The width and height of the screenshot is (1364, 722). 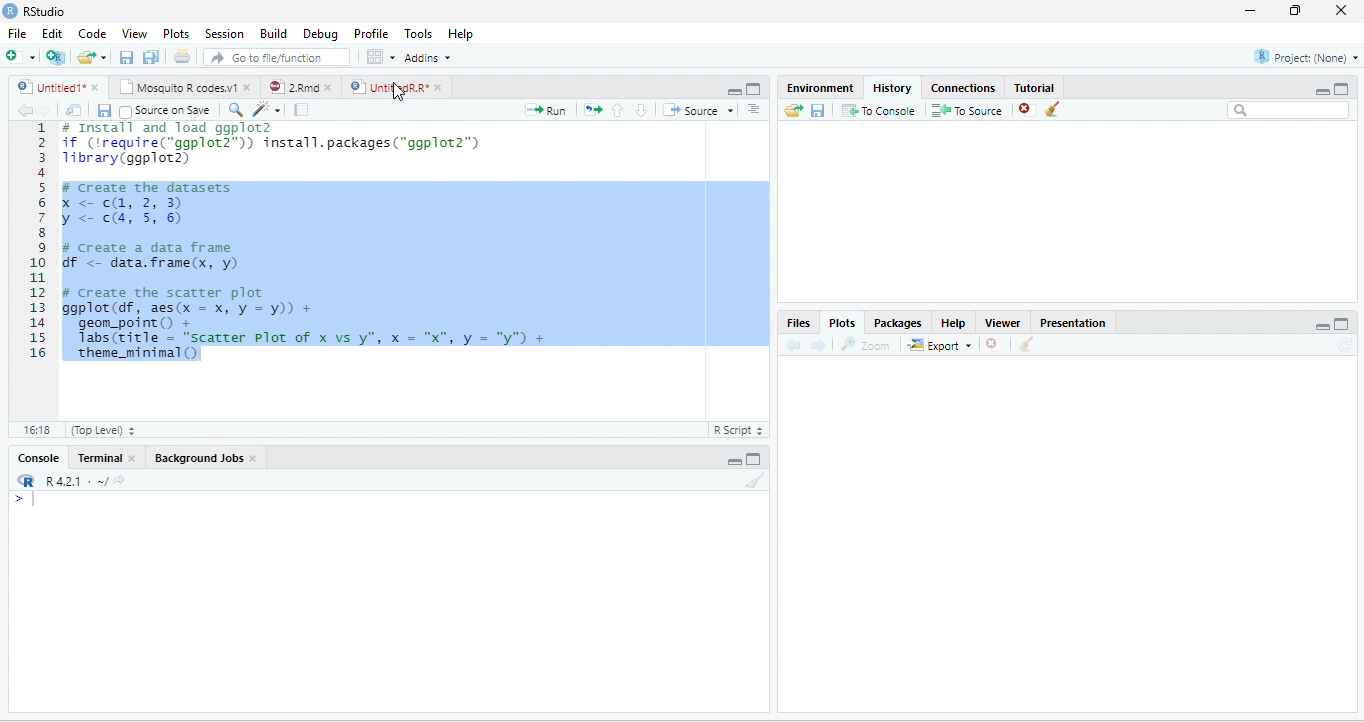 What do you see at coordinates (75, 111) in the screenshot?
I see `Show in new window` at bounding box center [75, 111].